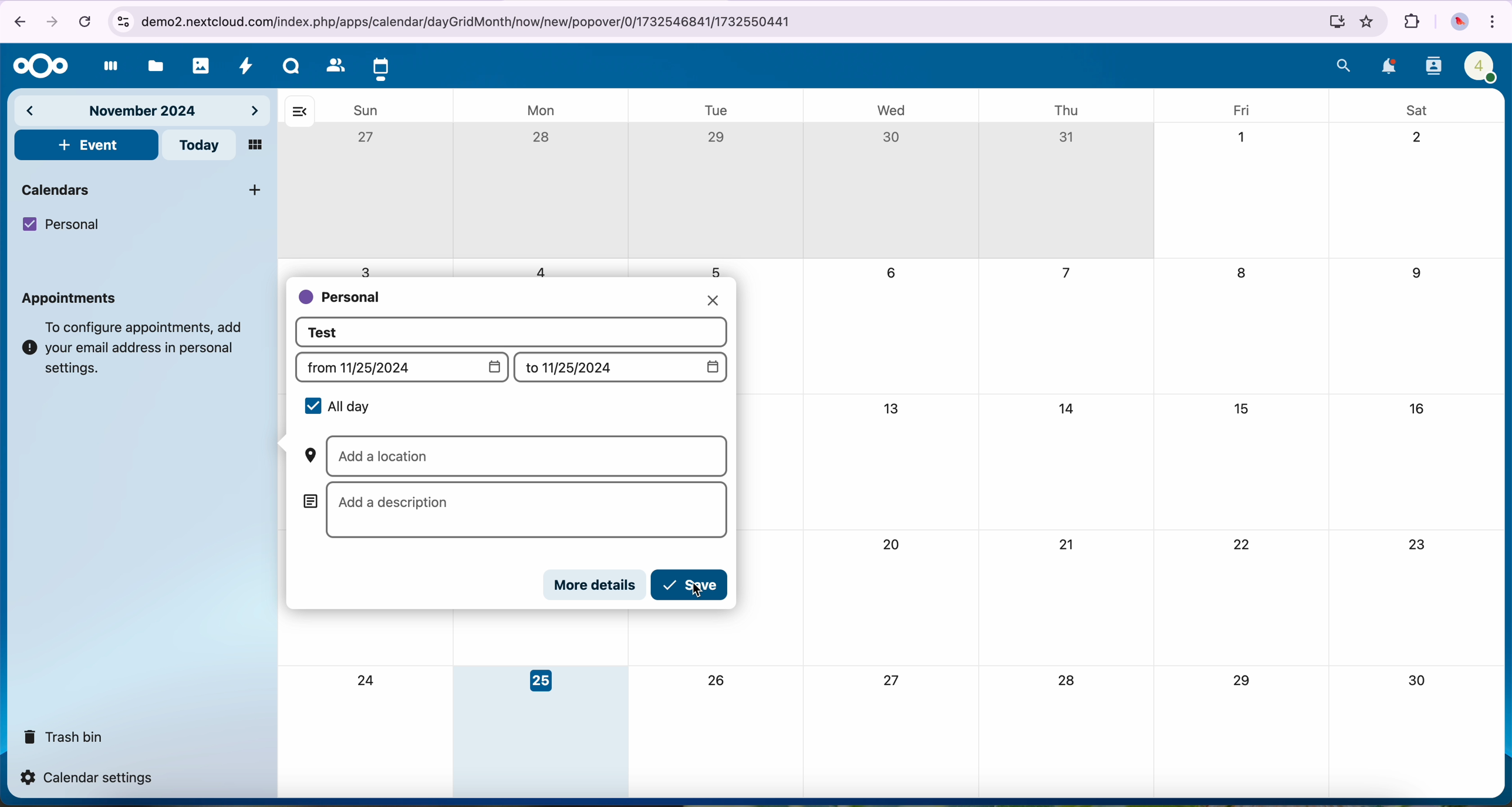 Image resolution: width=1512 pixels, height=807 pixels. What do you see at coordinates (596, 585) in the screenshot?
I see `more details` at bounding box center [596, 585].